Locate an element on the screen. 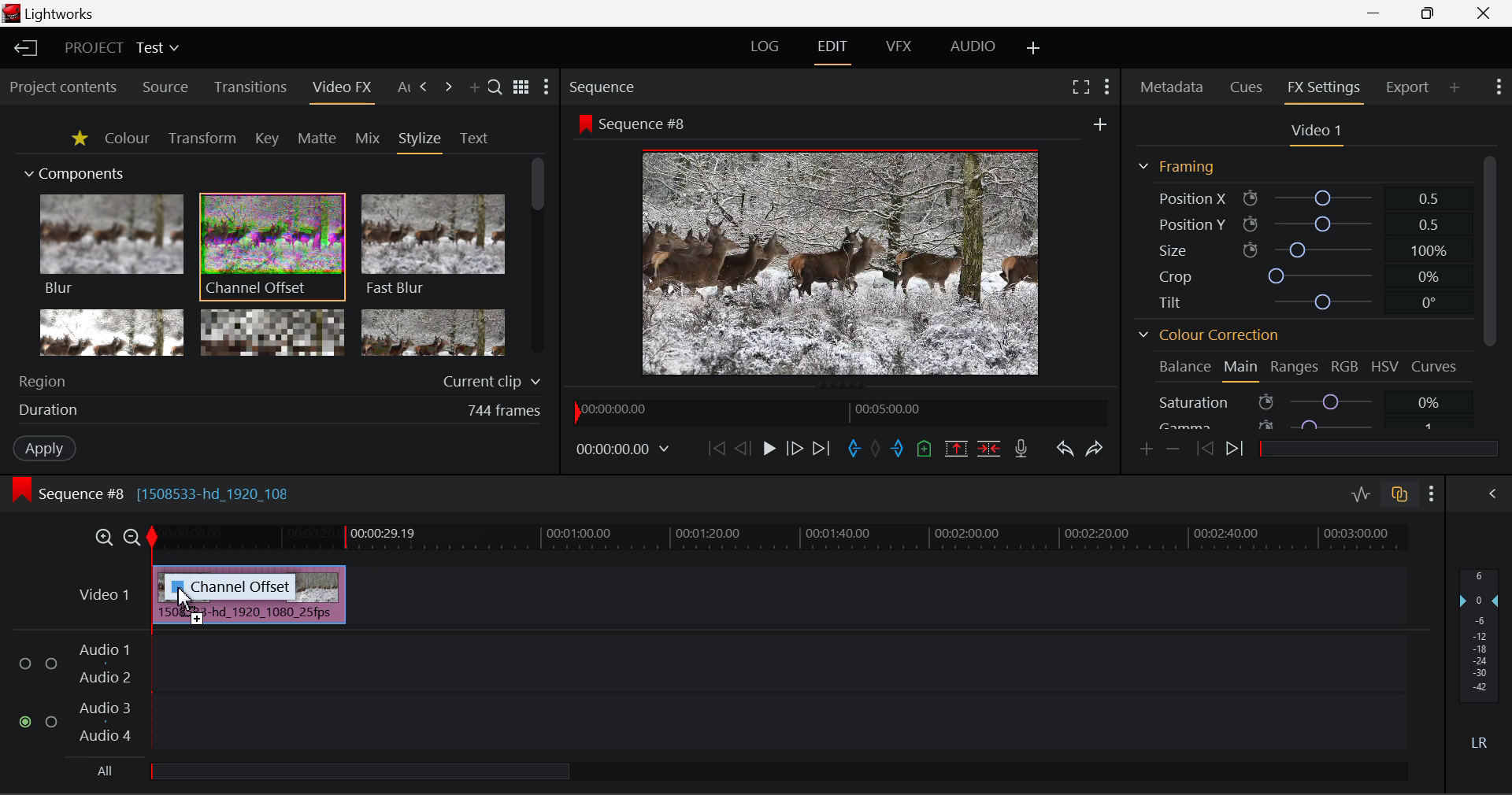  Search is located at coordinates (495, 87).